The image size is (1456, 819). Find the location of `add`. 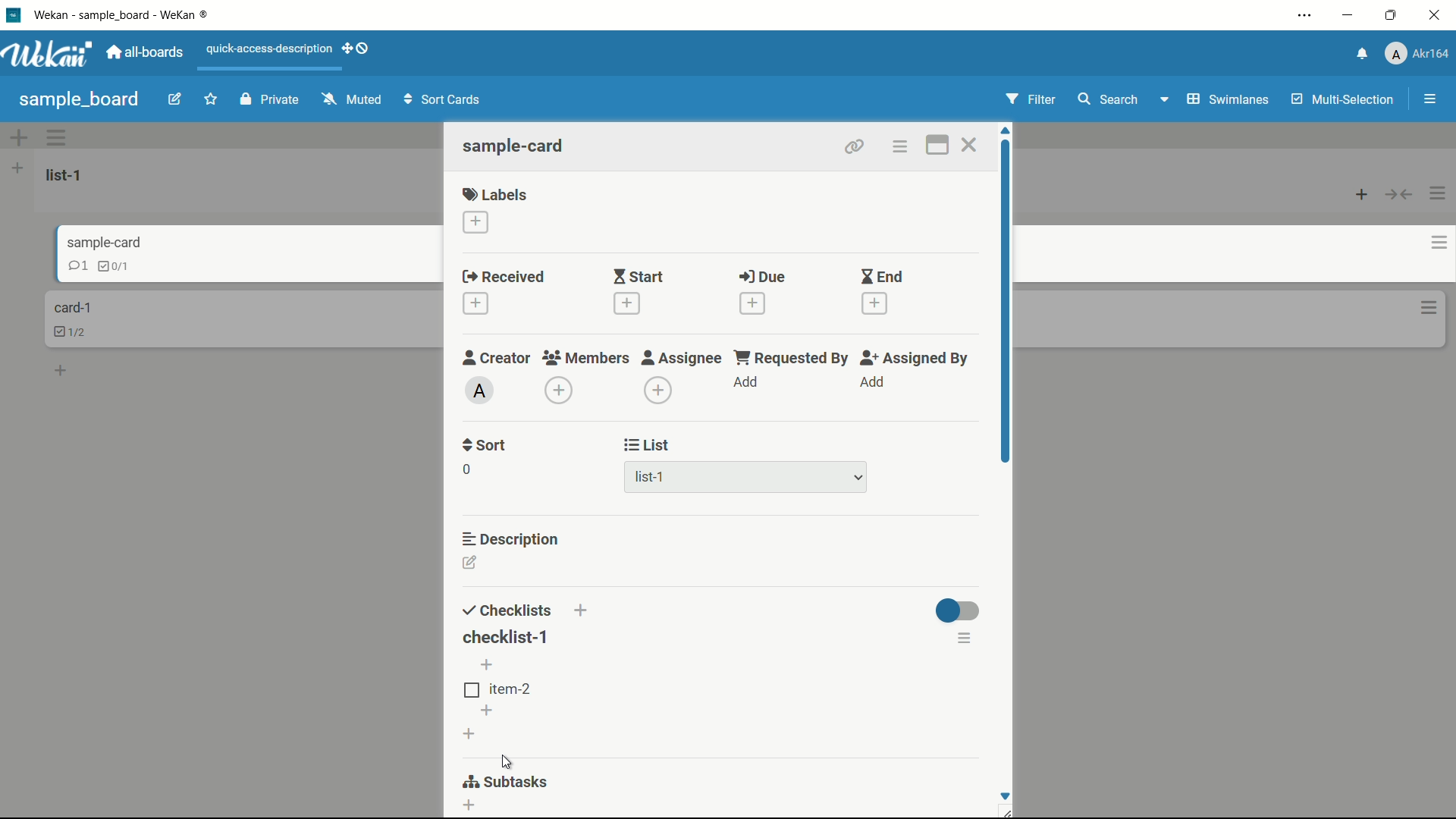

add is located at coordinates (469, 732).